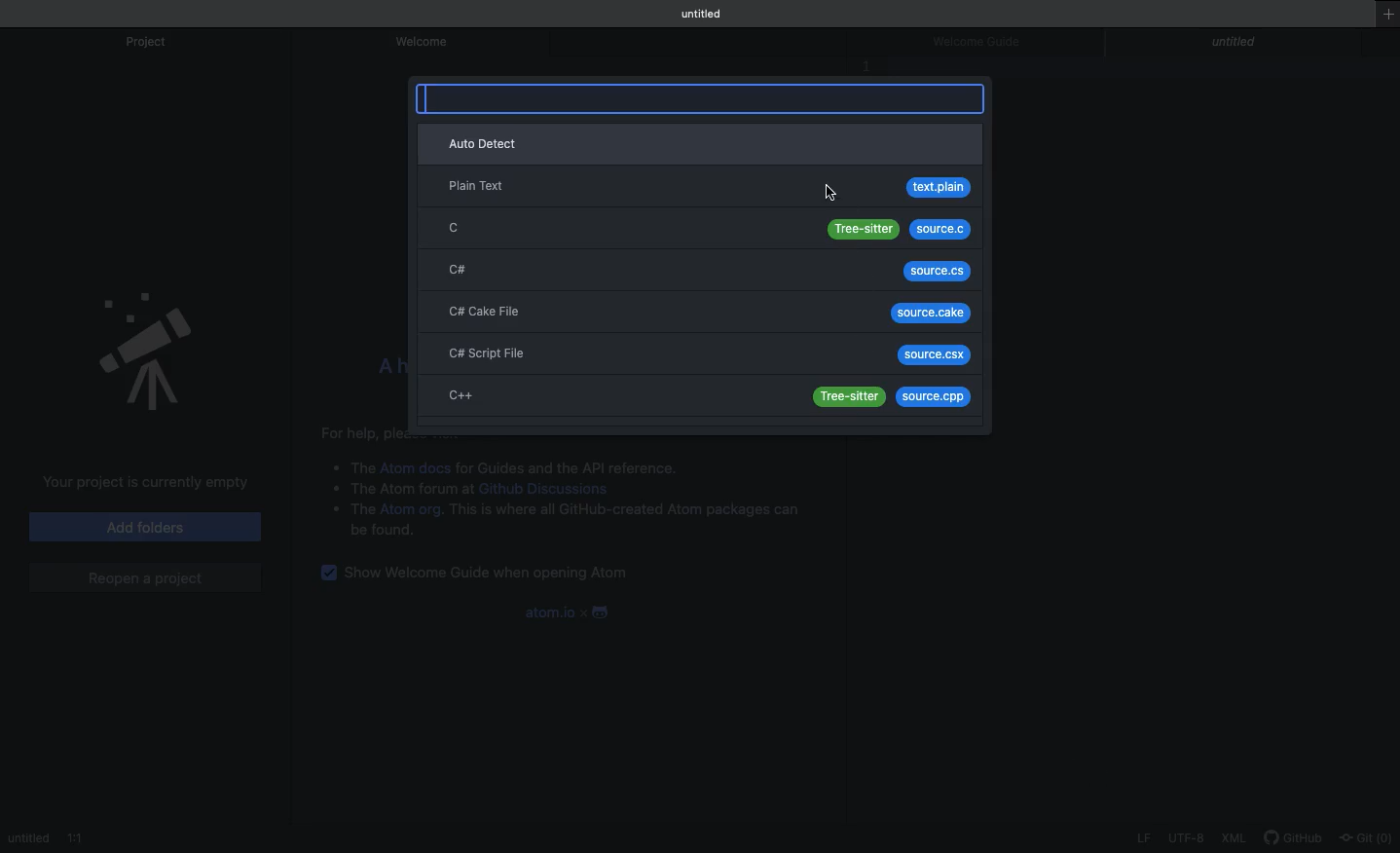  Describe the element at coordinates (701, 143) in the screenshot. I see `Auto detect` at that location.